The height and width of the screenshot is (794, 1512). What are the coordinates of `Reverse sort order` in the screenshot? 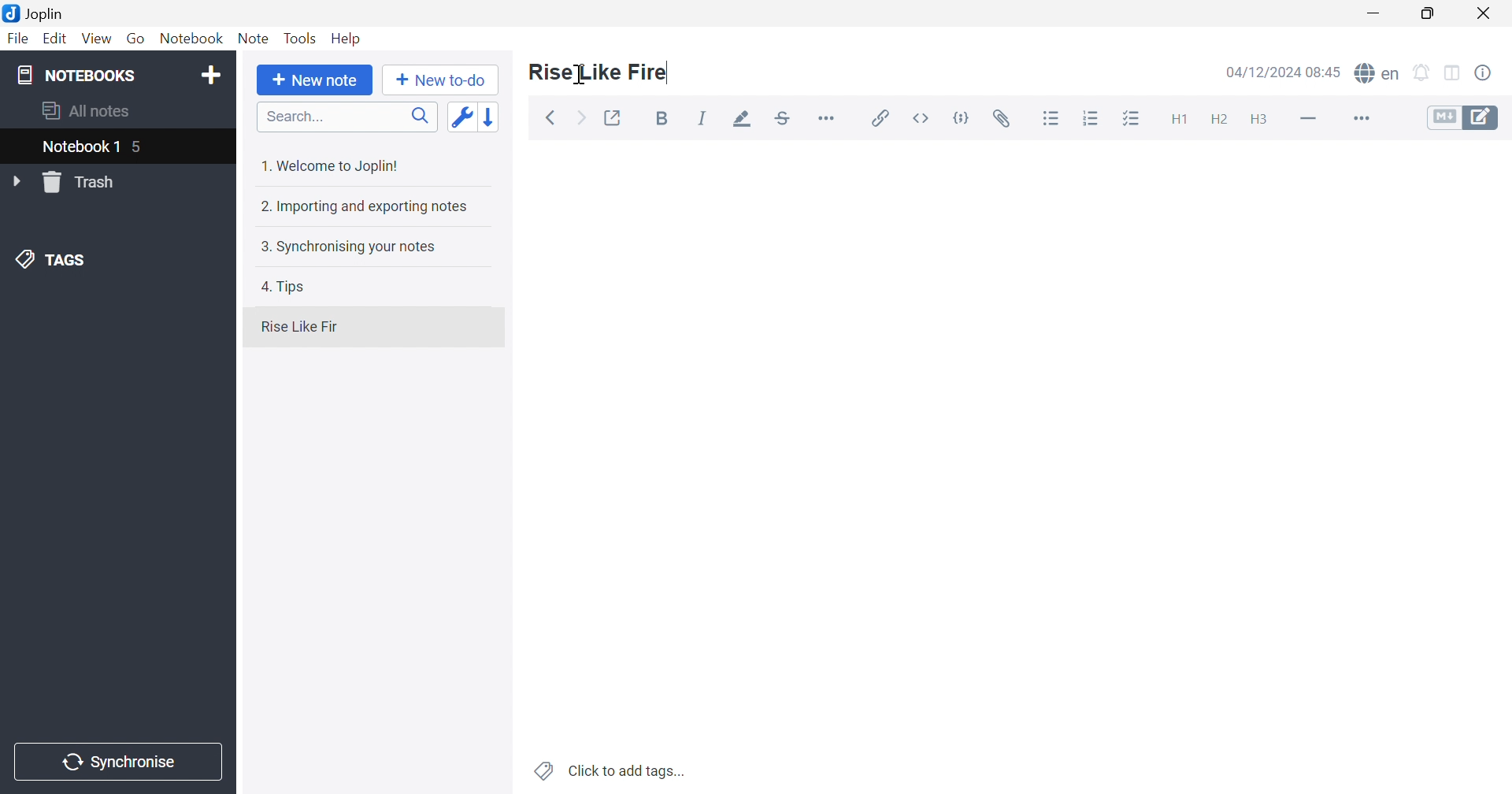 It's located at (491, 117).